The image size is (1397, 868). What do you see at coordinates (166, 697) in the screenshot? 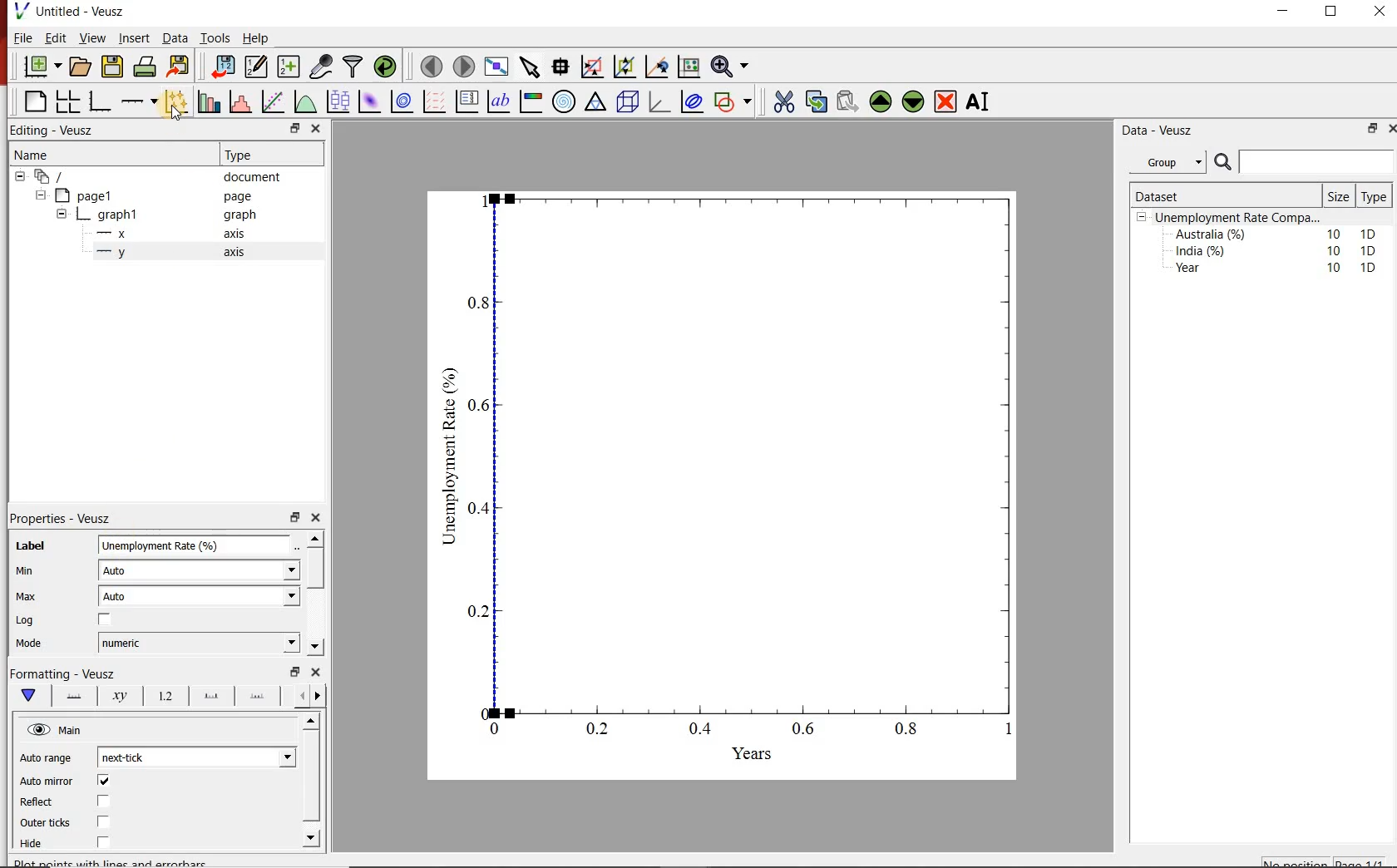
I see `tick labels` at bounding box center [166, 697].